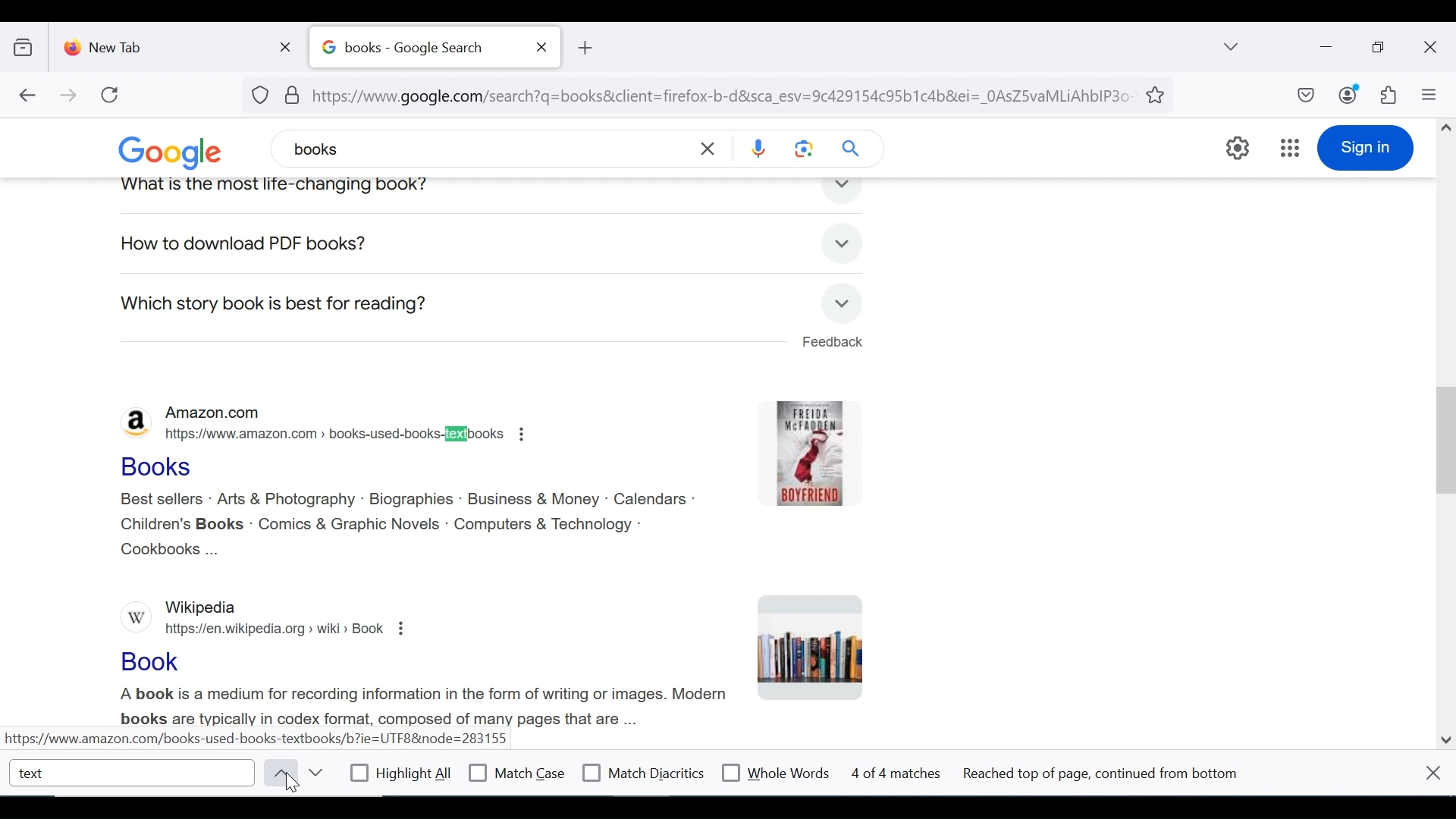 The width and height of the screenshot is (1456, 819). What do you see at coordinates (278, 773) in the screenshot?
I see `previous` at bounding box center [278, 773].